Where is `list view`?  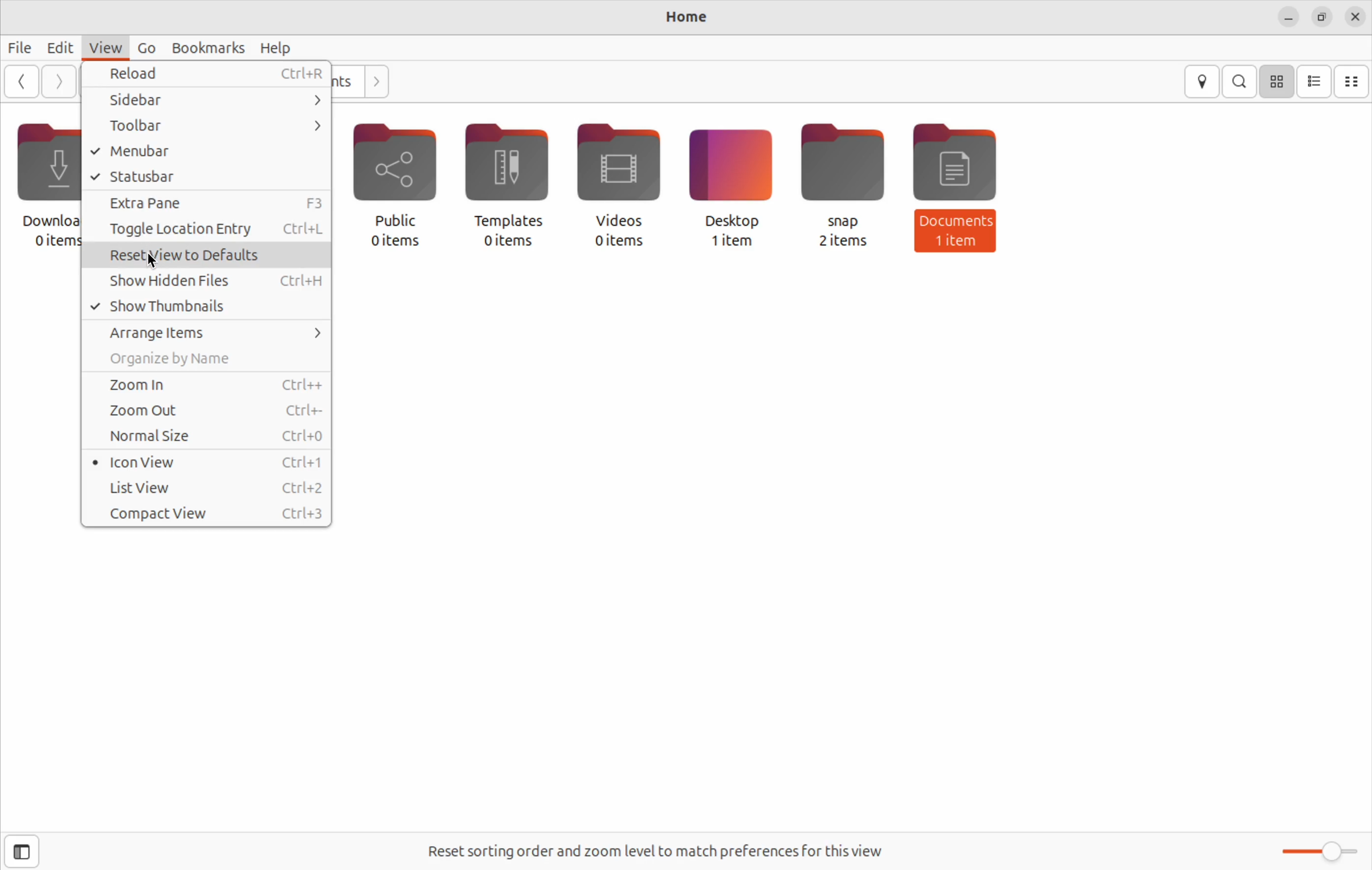 list view is located at coordinates (1316, 81).